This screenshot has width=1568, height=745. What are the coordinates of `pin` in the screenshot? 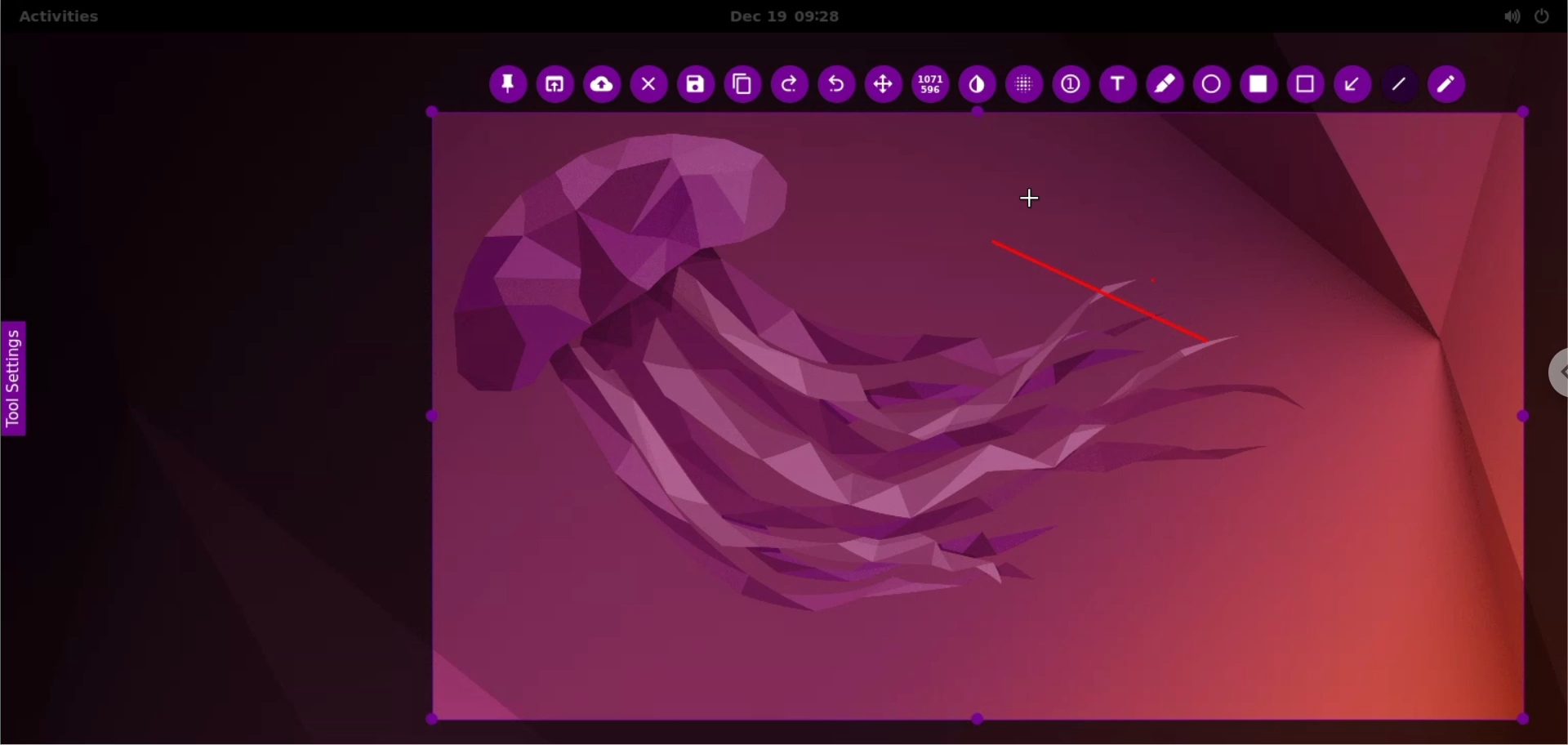 It's located at (509, 86).